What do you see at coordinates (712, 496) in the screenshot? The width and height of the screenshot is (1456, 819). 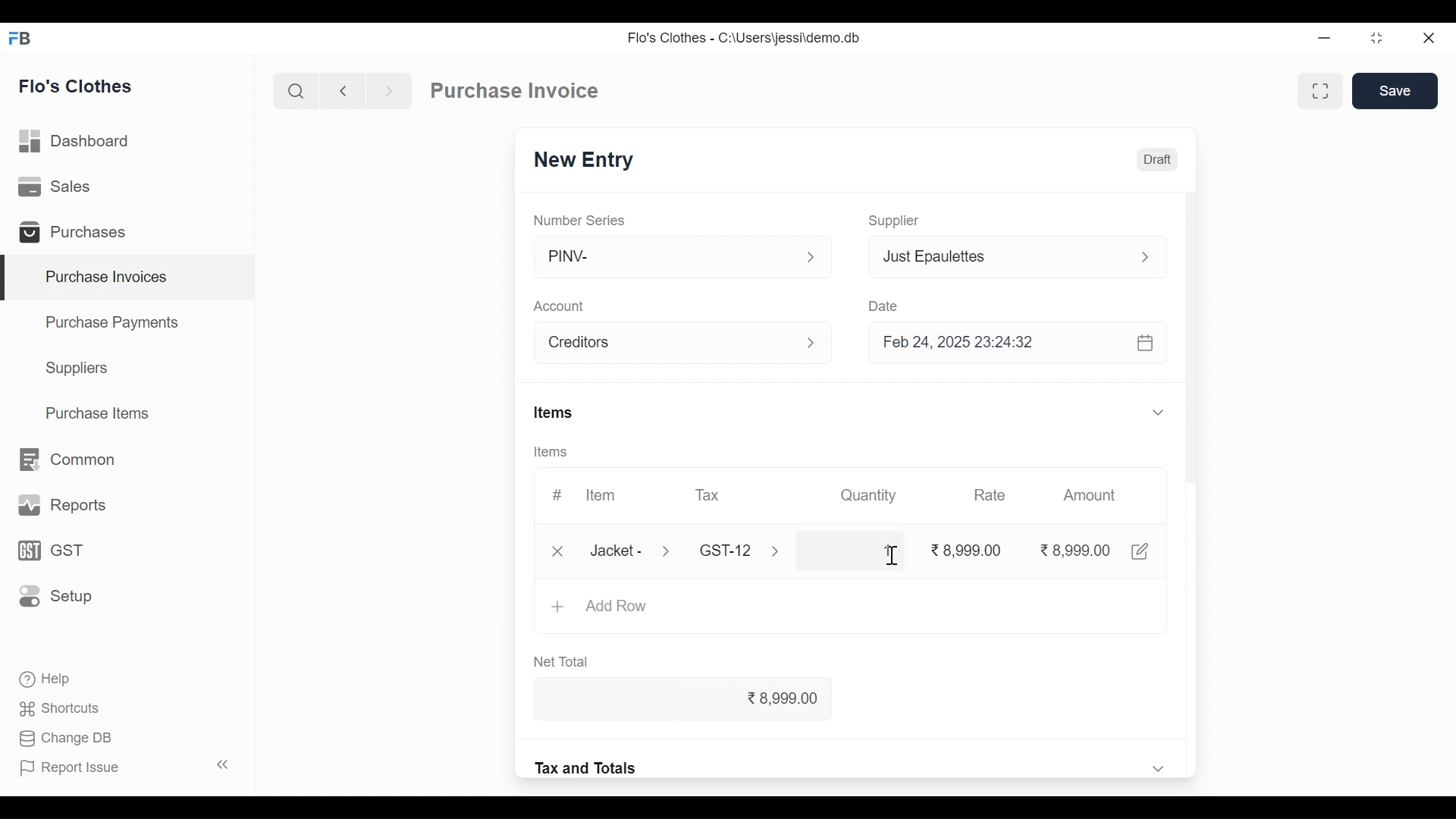 I see `Tax` at bounding box center [712, 496].